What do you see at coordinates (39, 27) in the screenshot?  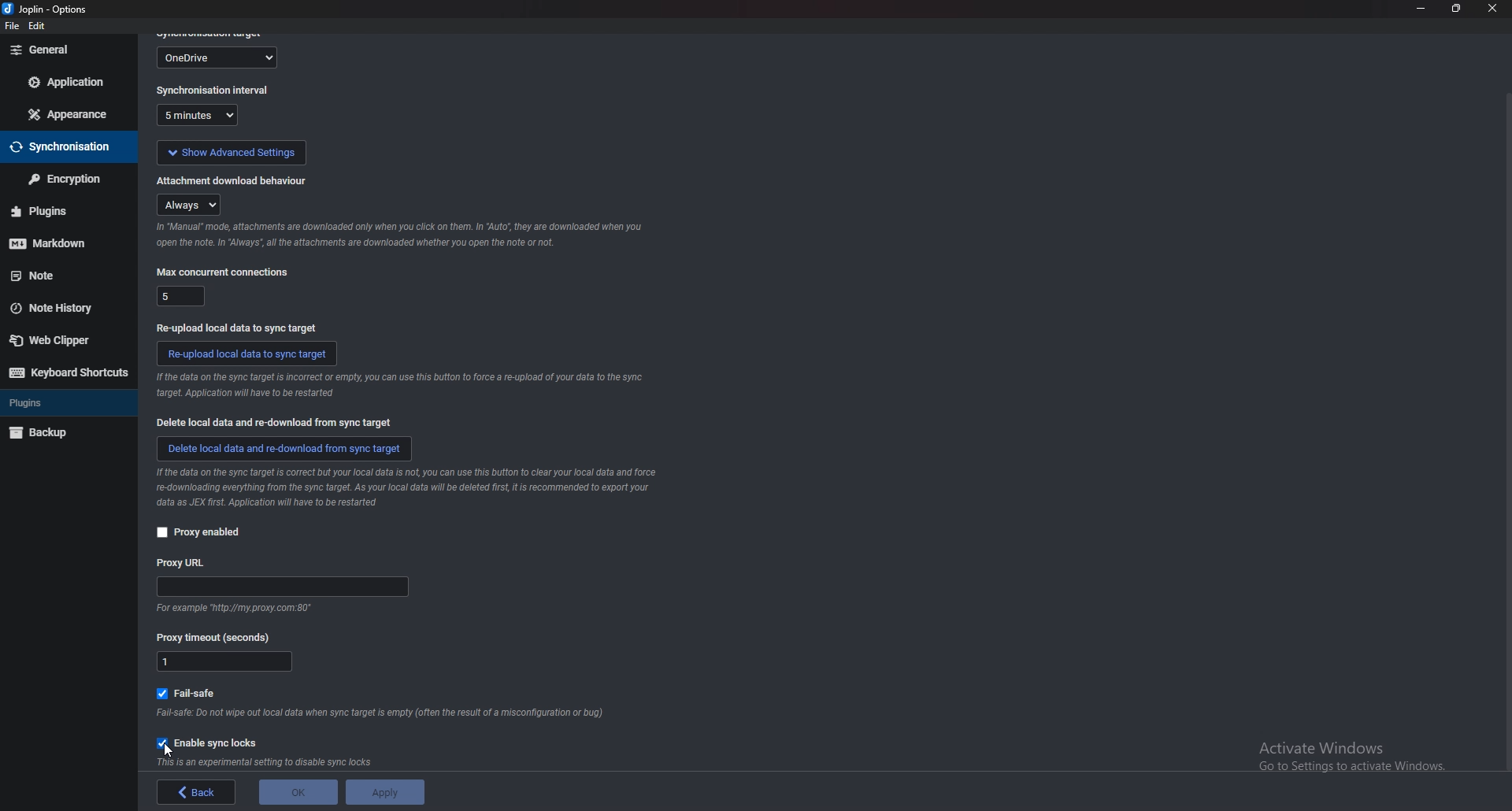 I see `edit` at bounding box center [39, 27].